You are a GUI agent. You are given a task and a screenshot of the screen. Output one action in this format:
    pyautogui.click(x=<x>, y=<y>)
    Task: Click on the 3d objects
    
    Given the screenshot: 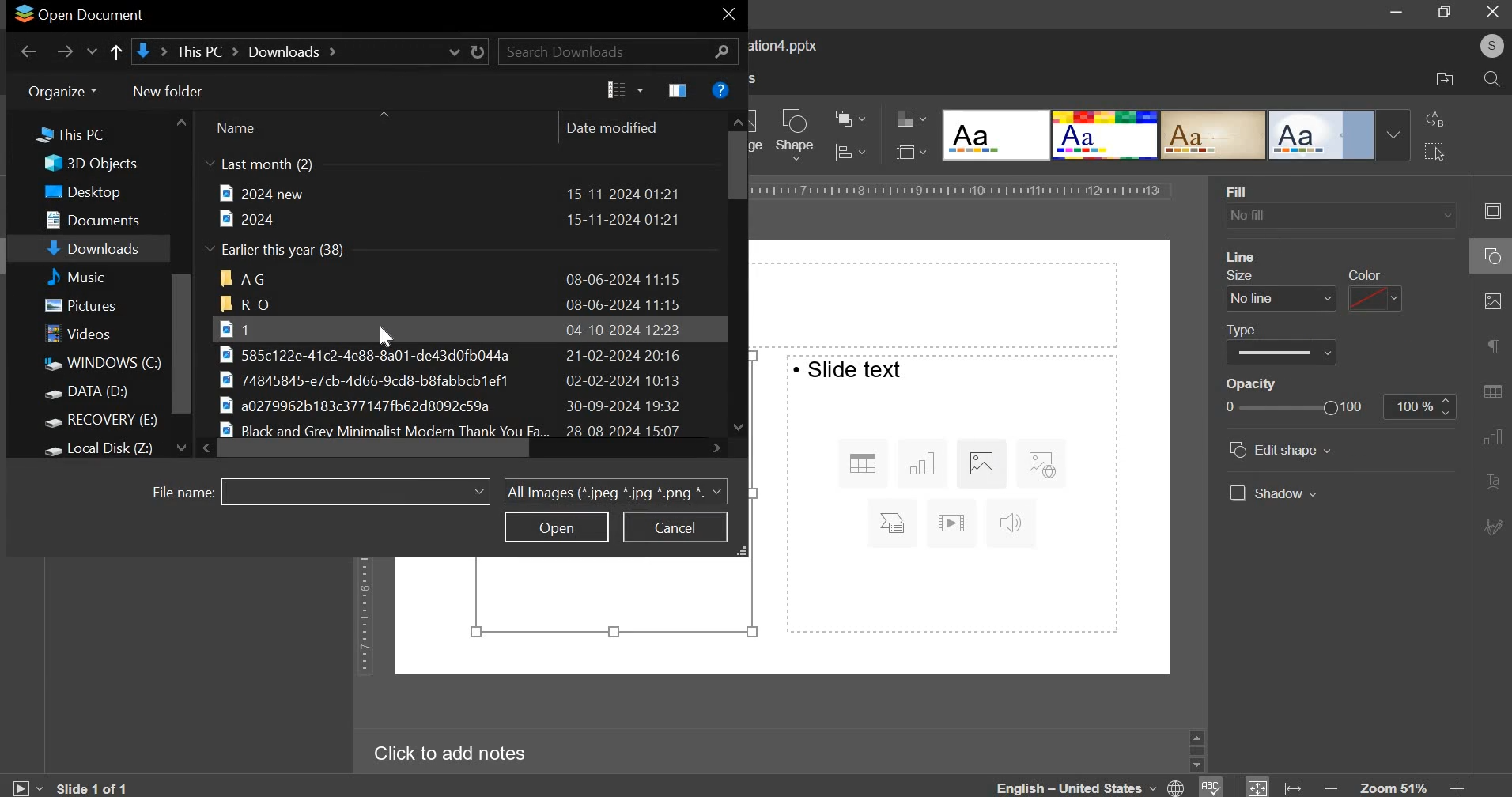 What is the action you would take?
    pyautogui.click(x=96, y=164)
    